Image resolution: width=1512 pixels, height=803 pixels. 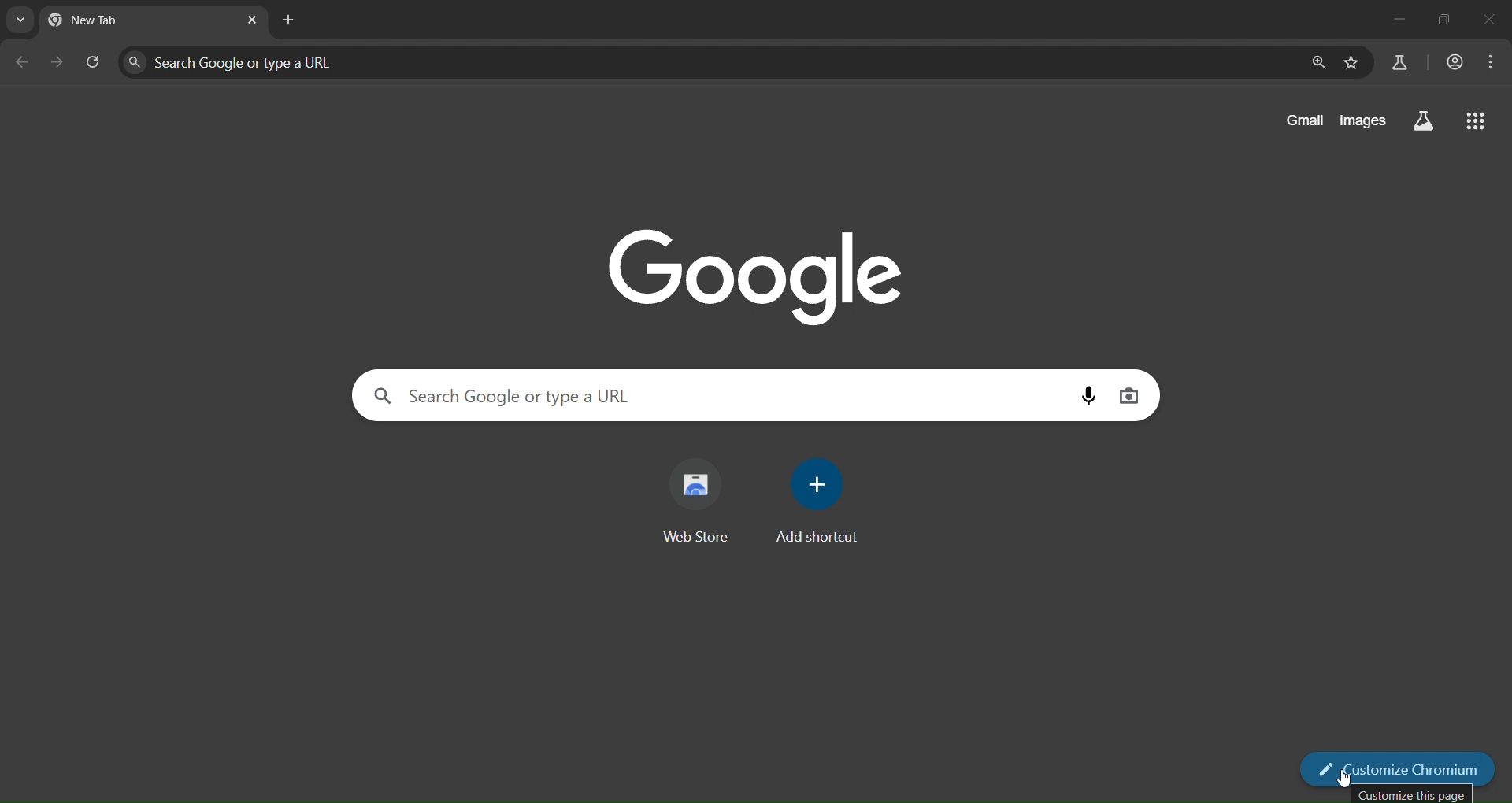 What do you see at coordinates (17, 20) in the screenshot?
I see `search tabs` at bounding box center [17, 20].